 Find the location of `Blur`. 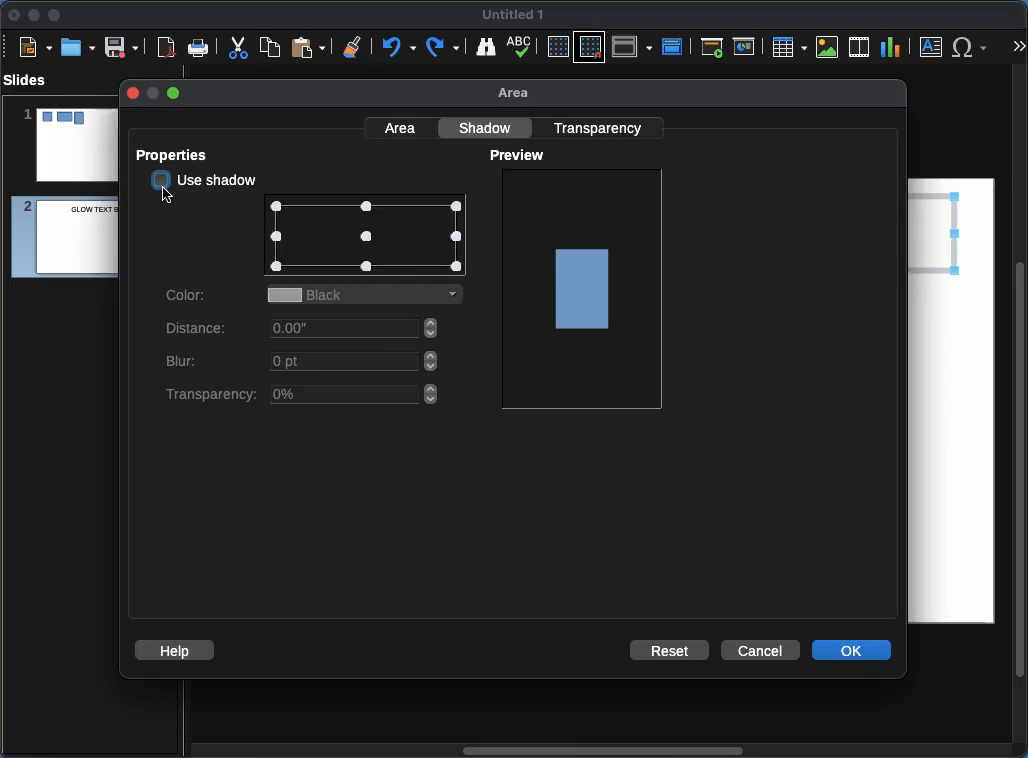

Blur is located at coordinates (303, 363).